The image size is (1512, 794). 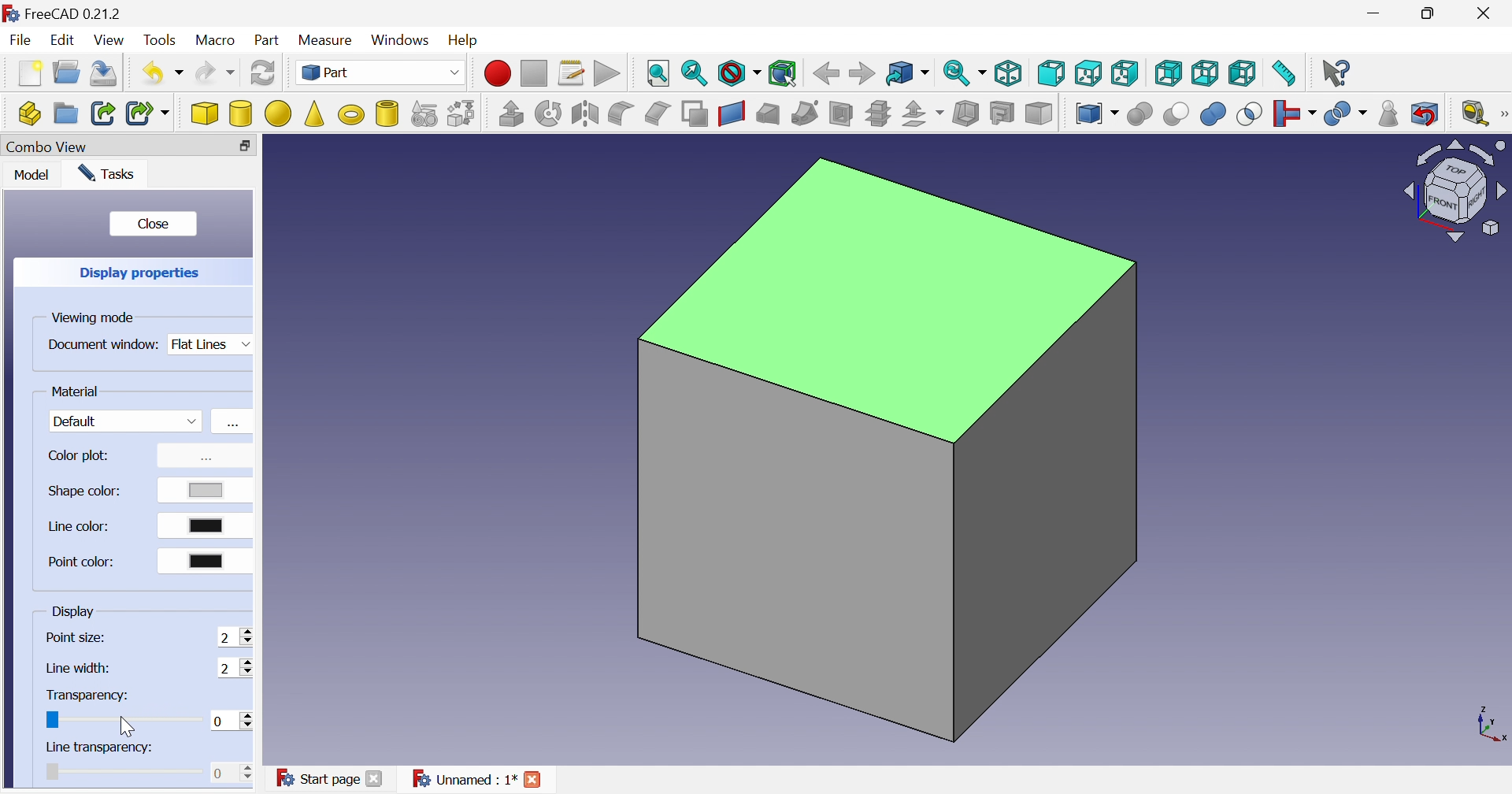 I want to click on Create tube, so click(x=388, y=114).